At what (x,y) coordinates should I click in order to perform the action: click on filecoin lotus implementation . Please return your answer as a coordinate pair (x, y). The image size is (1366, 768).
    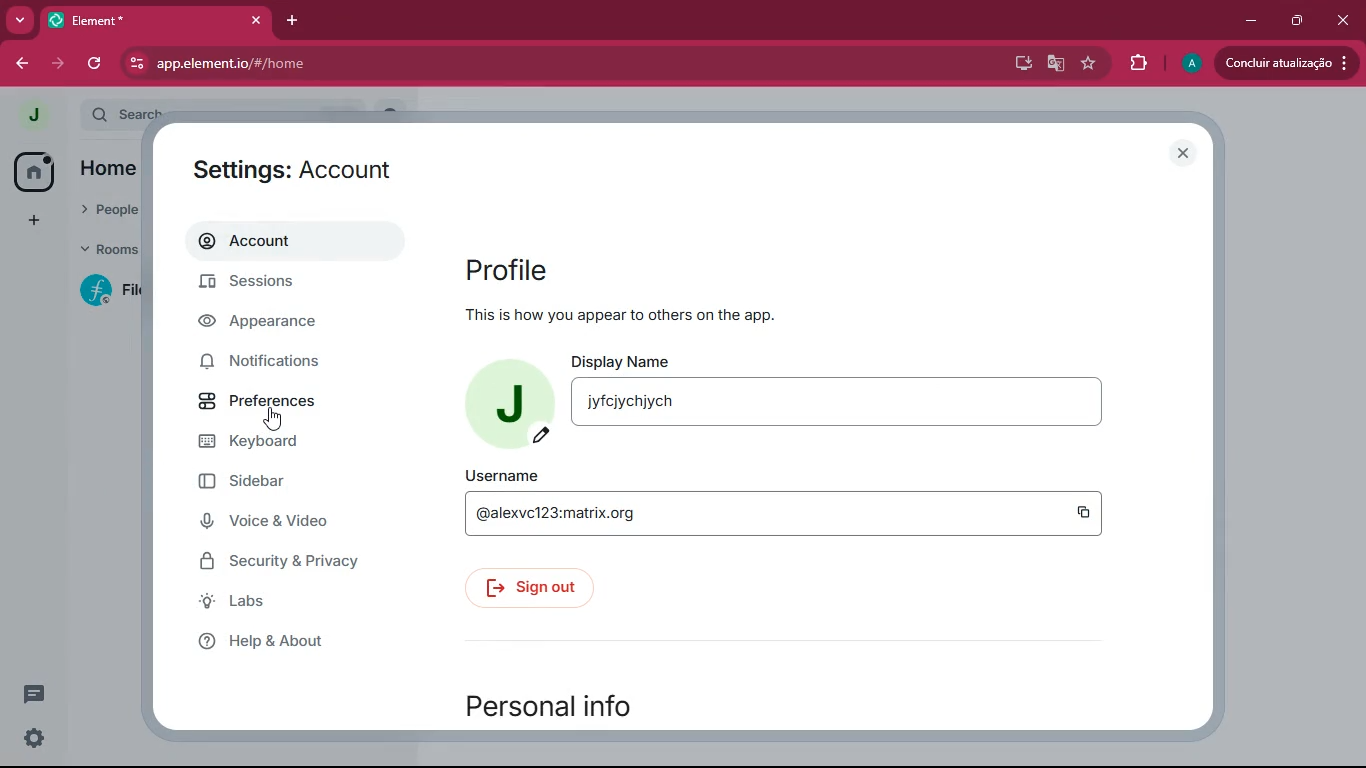
    Looking at the image, I should click on (118, 292).